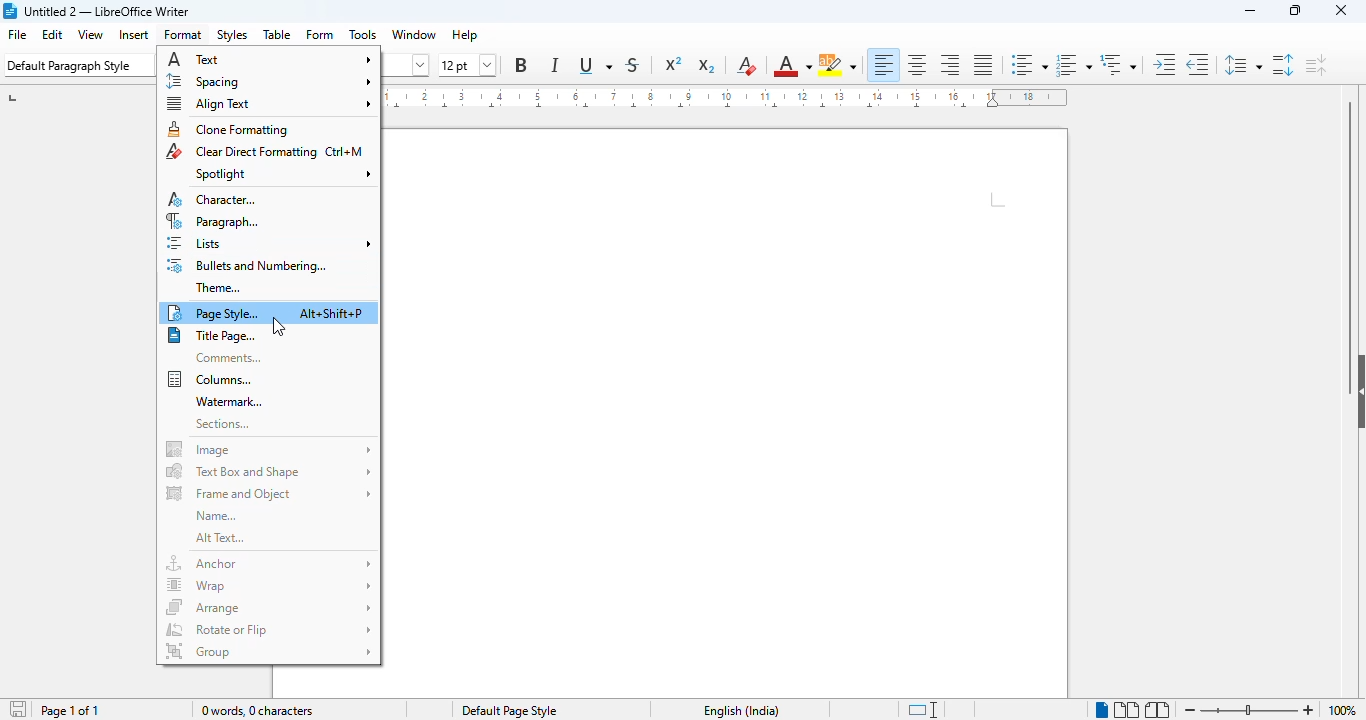 This screenshot has width=1366, height=720. I want to click on rotate of flip, so click(267, 629).